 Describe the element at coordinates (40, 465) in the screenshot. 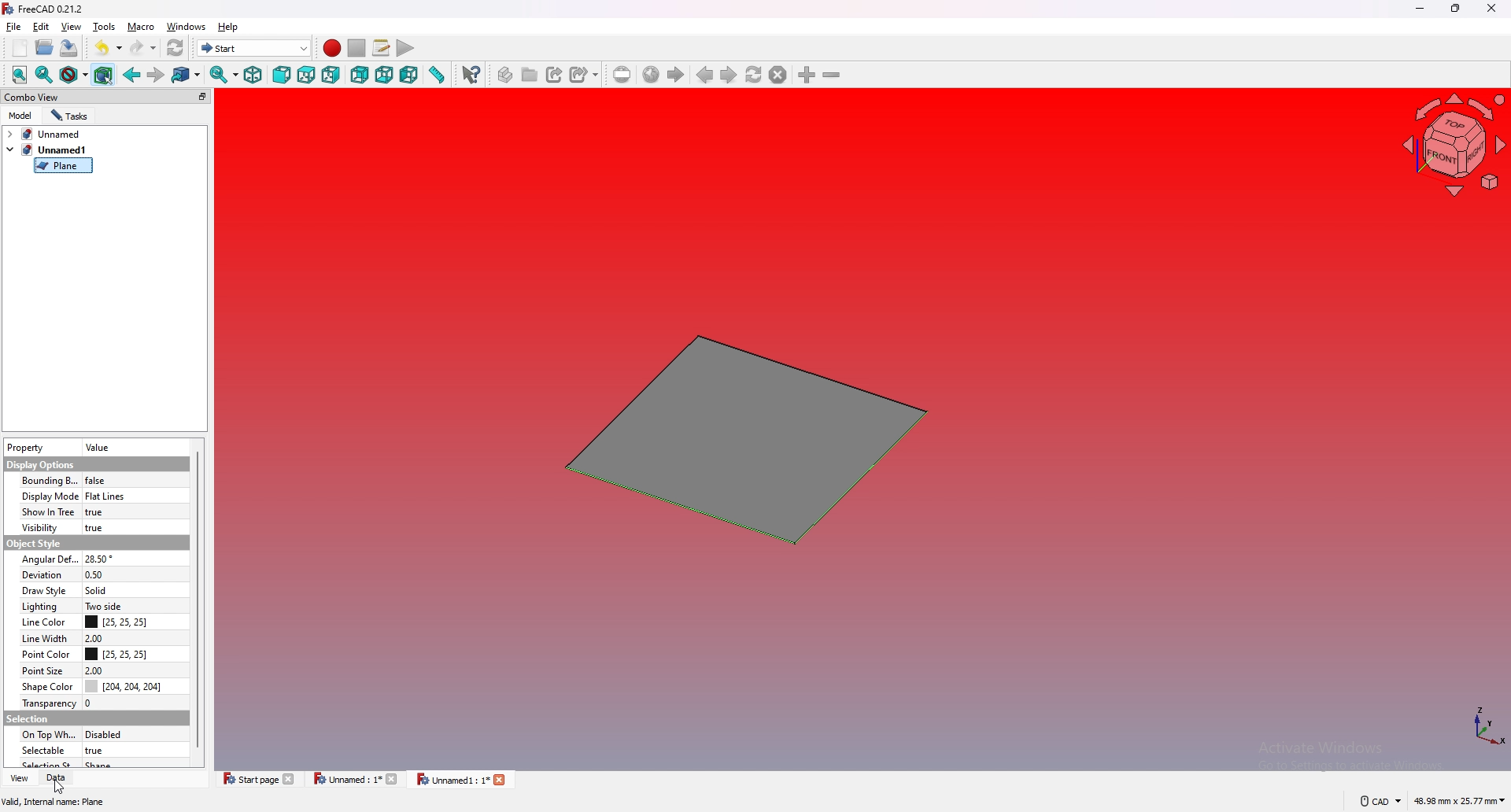

I see `display options` at that location.